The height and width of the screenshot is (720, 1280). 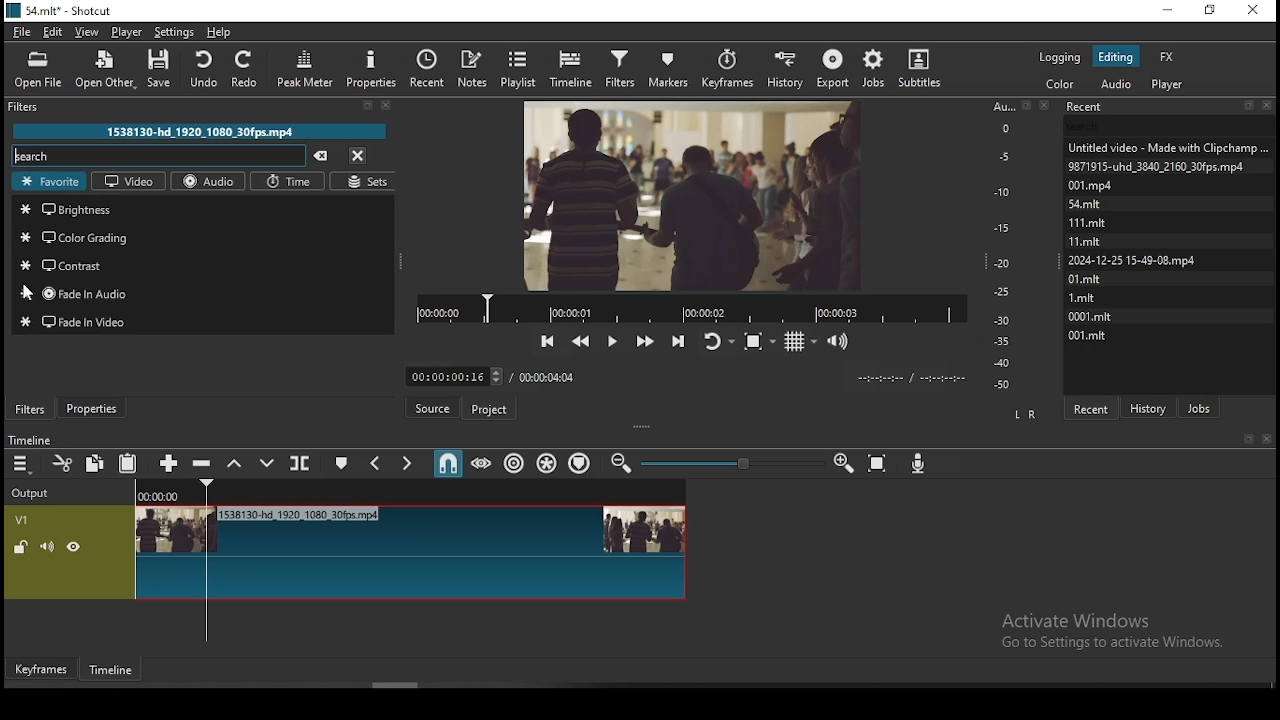 What do you see at coordinates (91, 407) in the screenshot?
I see `properties` at bounding box center [91, 407].